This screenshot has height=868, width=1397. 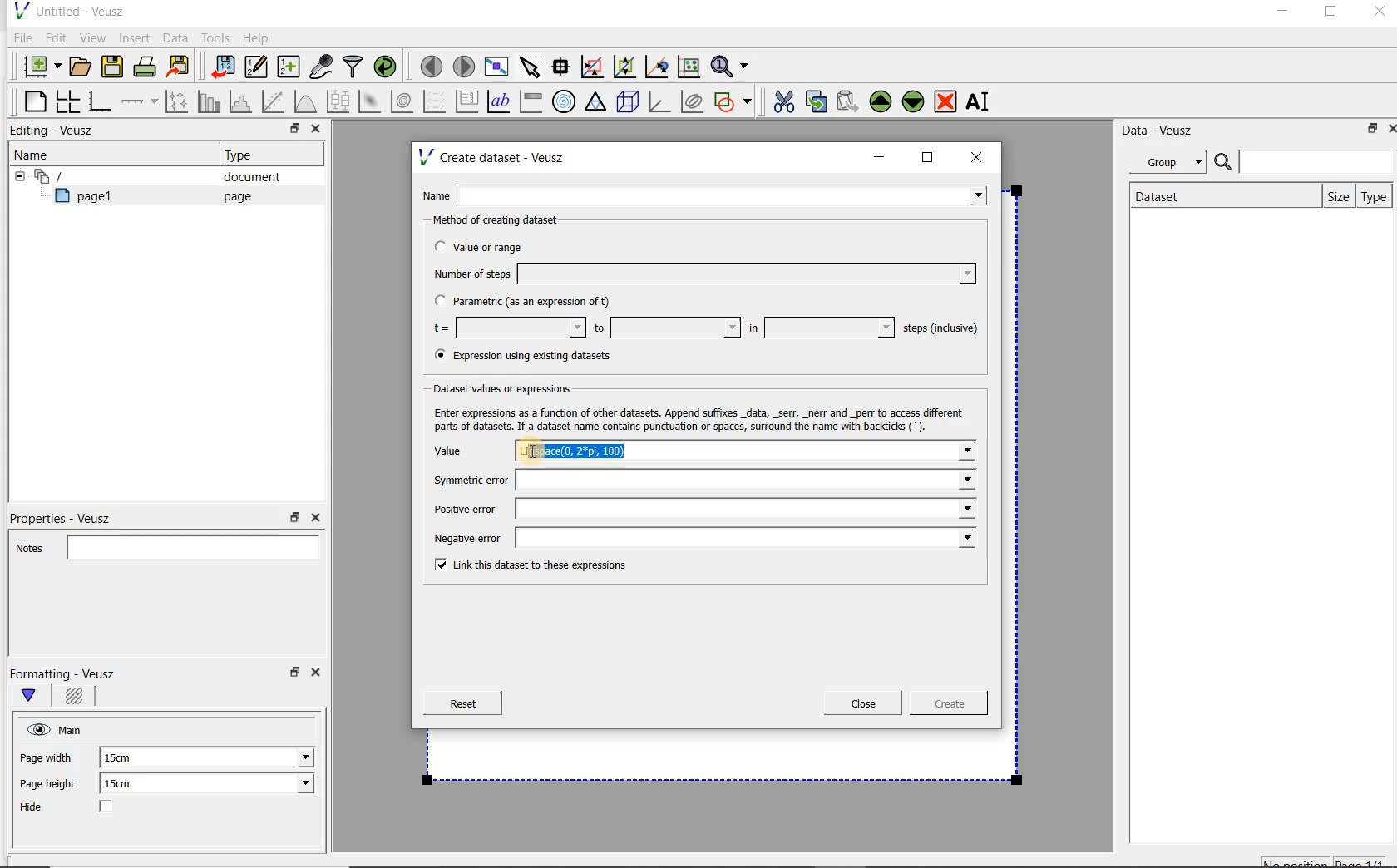 What do you see at coordinates (221, 67) in the screenshot?
I see `import data into Veusz` at bounding box center [221, 67].